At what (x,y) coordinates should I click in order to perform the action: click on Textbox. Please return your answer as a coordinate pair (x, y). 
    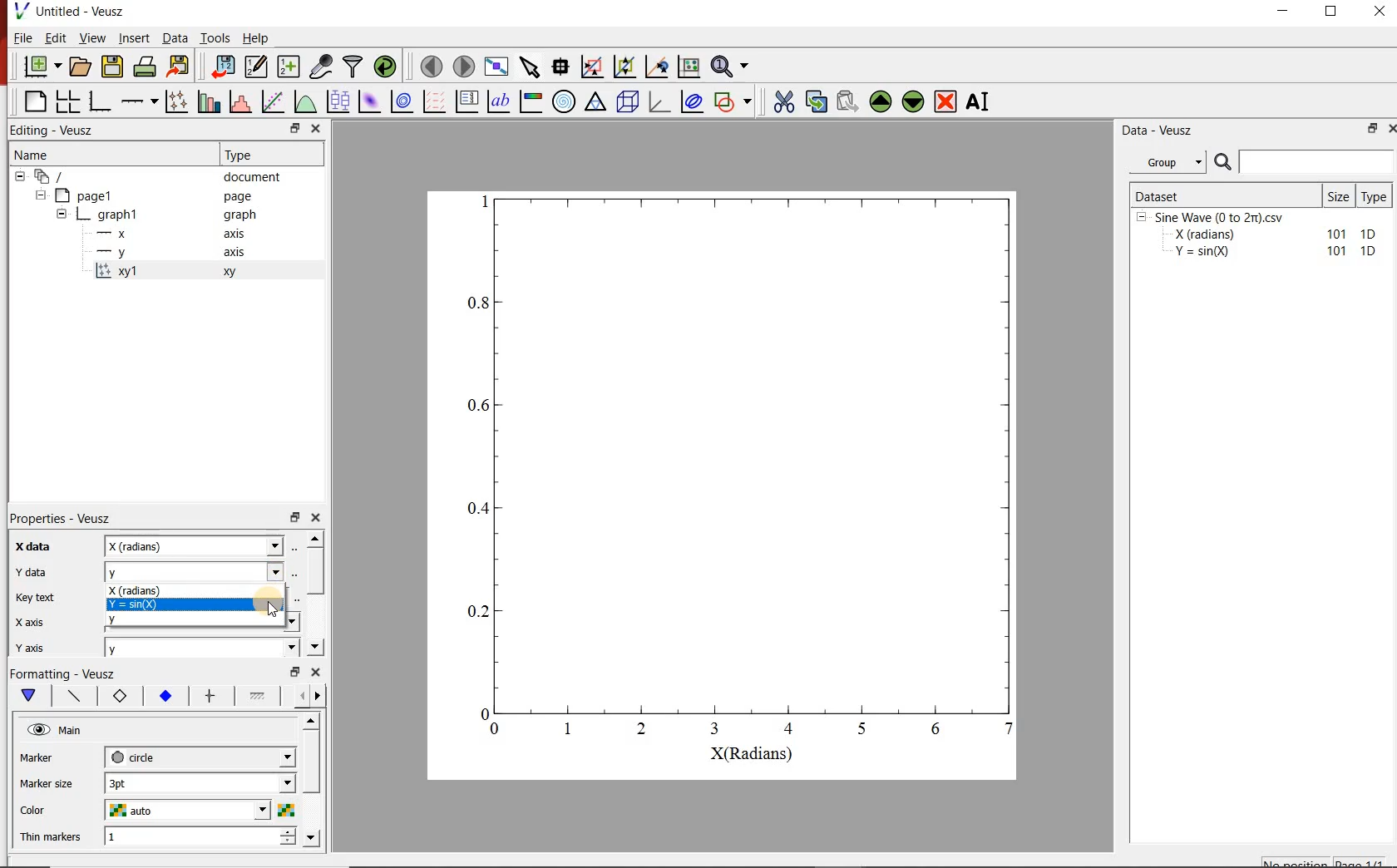
    Looking at the image, I should click on (195, 545).